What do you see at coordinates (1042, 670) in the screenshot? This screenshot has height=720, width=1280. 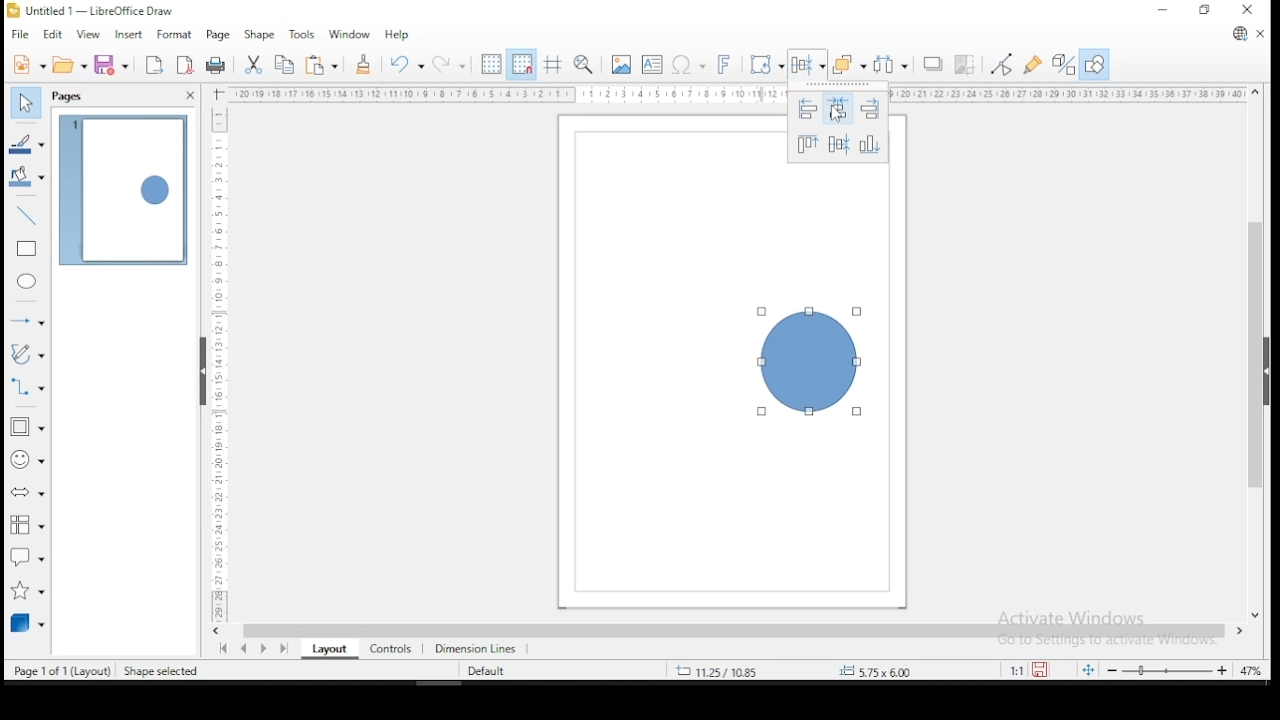 I see `save` at bounding box center [1042, 670].